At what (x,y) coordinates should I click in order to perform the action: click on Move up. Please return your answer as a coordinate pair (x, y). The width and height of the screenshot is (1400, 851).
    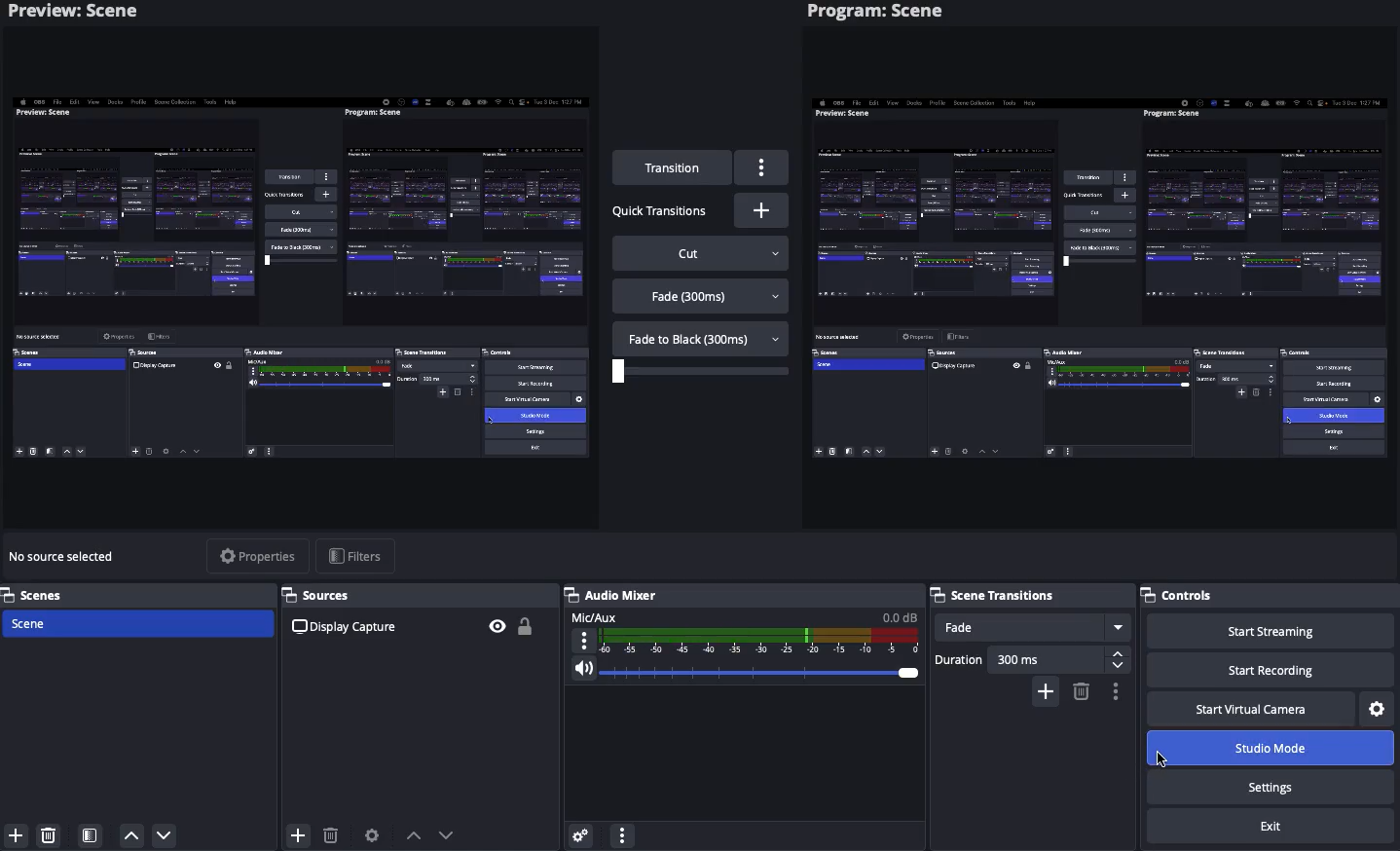
    Looking at the image, I should click on (414, 835).